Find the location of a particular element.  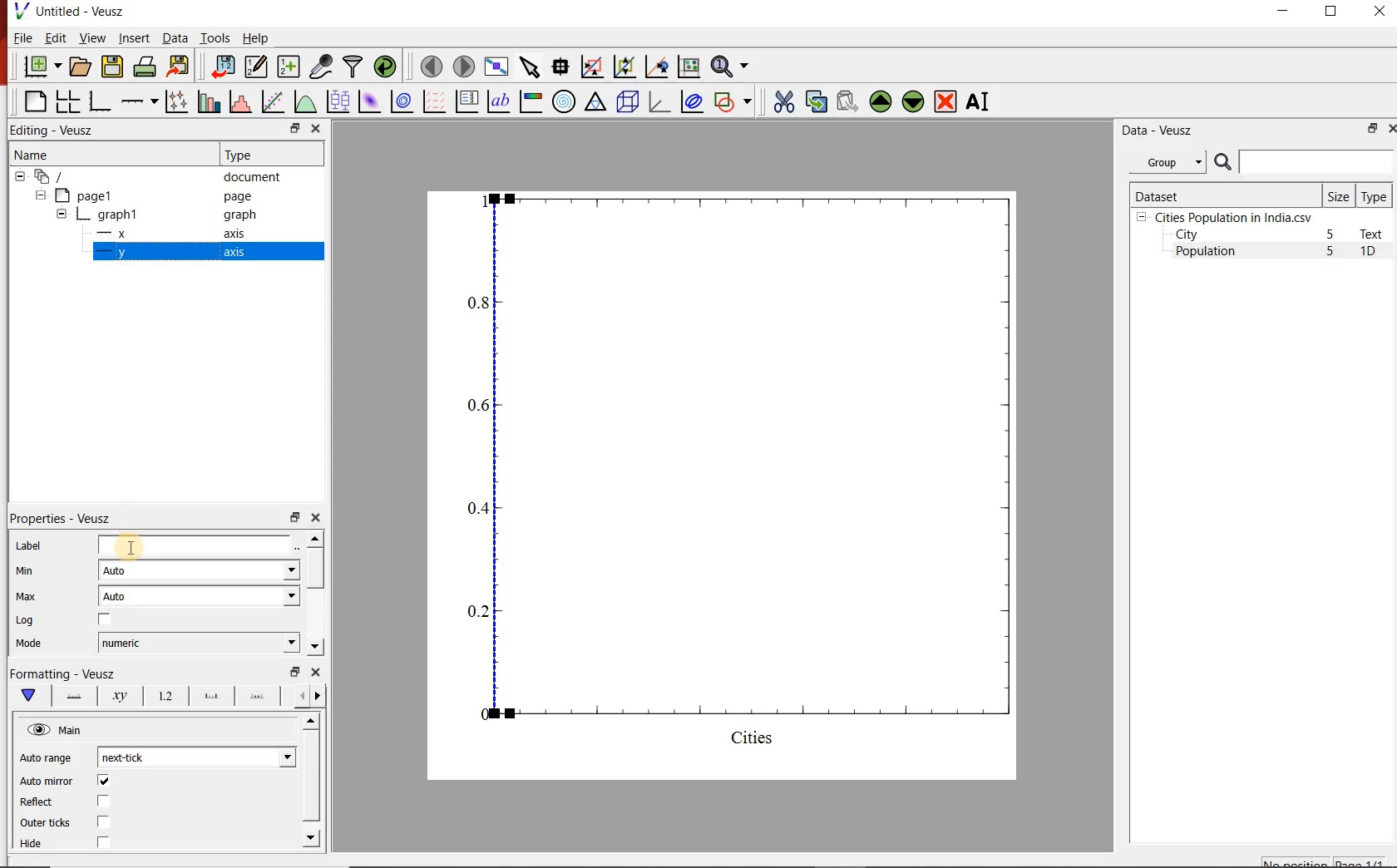

check/uncheck is located at coordinates (103, 781).